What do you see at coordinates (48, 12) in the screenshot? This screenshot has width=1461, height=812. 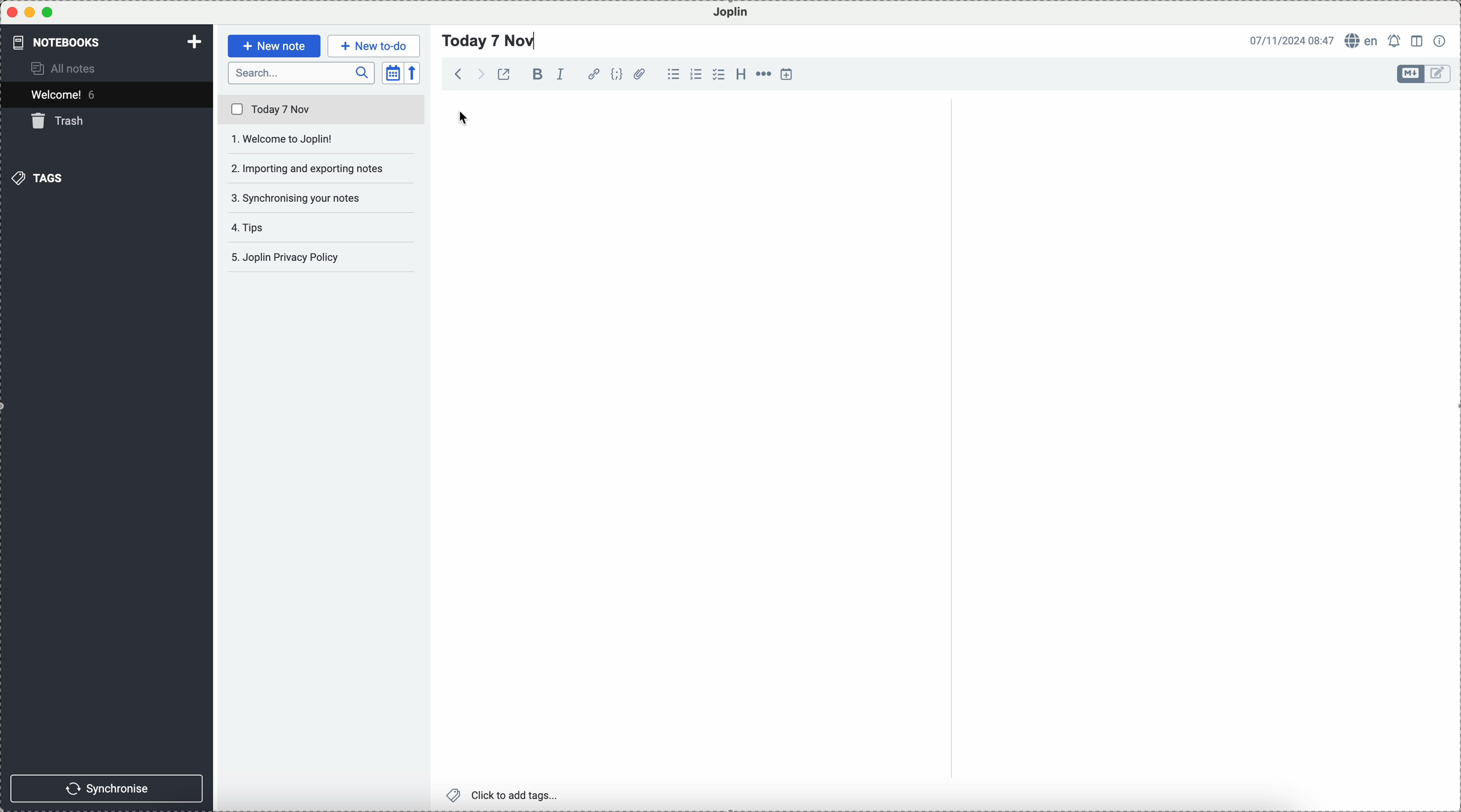 I see `maximize` at bounding box center [48, 12].